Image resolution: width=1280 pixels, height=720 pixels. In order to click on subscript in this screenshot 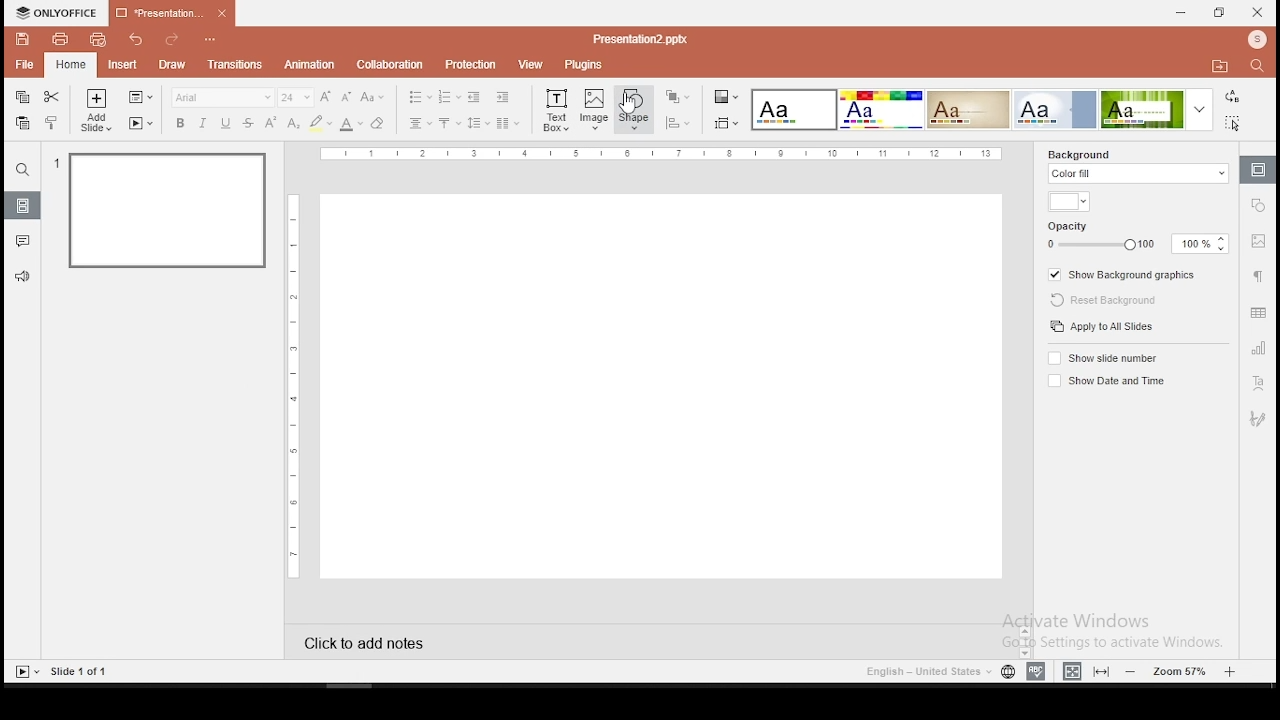, I will do `click(293, 123)`.